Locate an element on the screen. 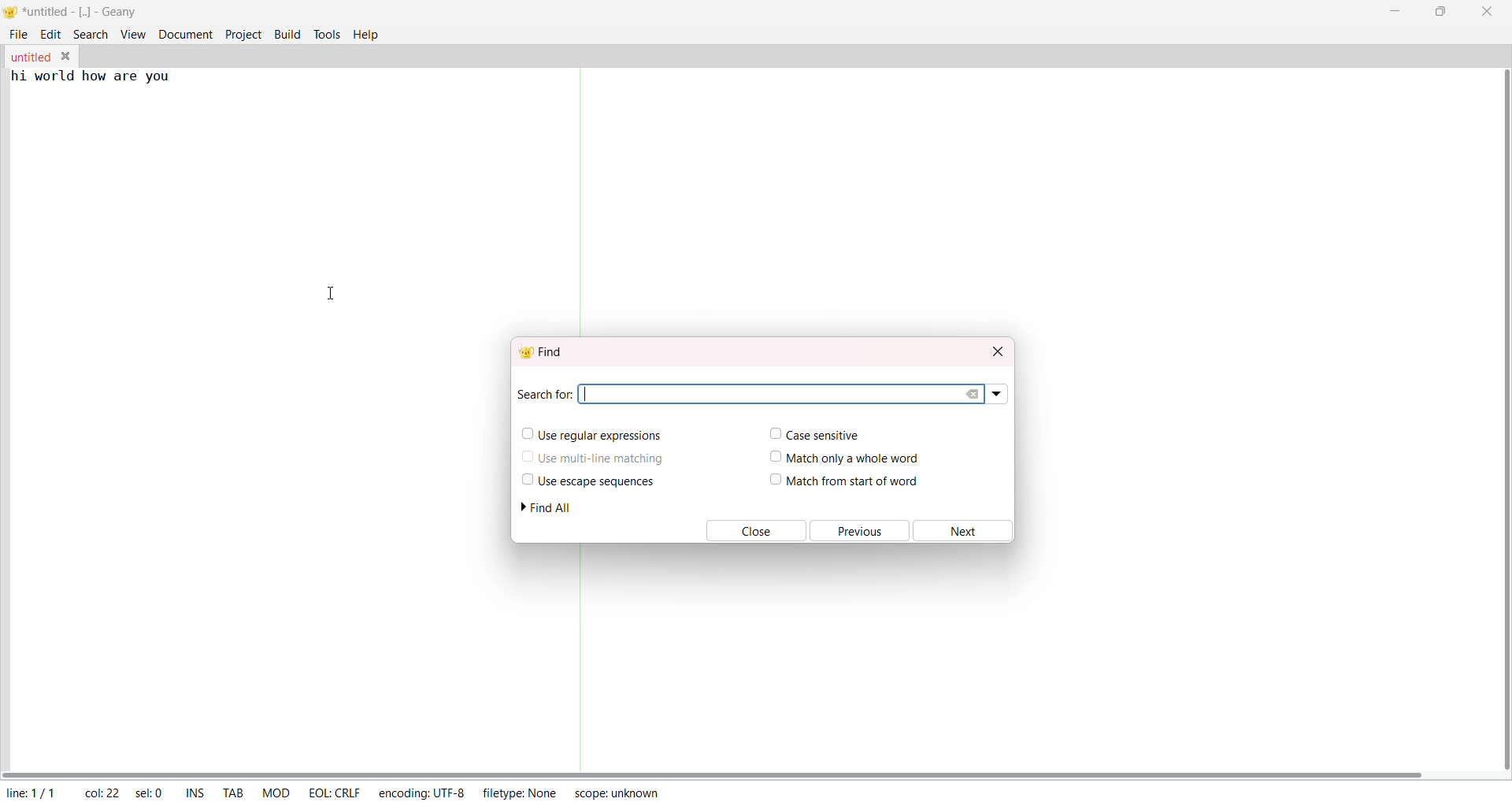 The width and height of the screenshot is (1512, 802). find all is located at coordinates (542, 507).